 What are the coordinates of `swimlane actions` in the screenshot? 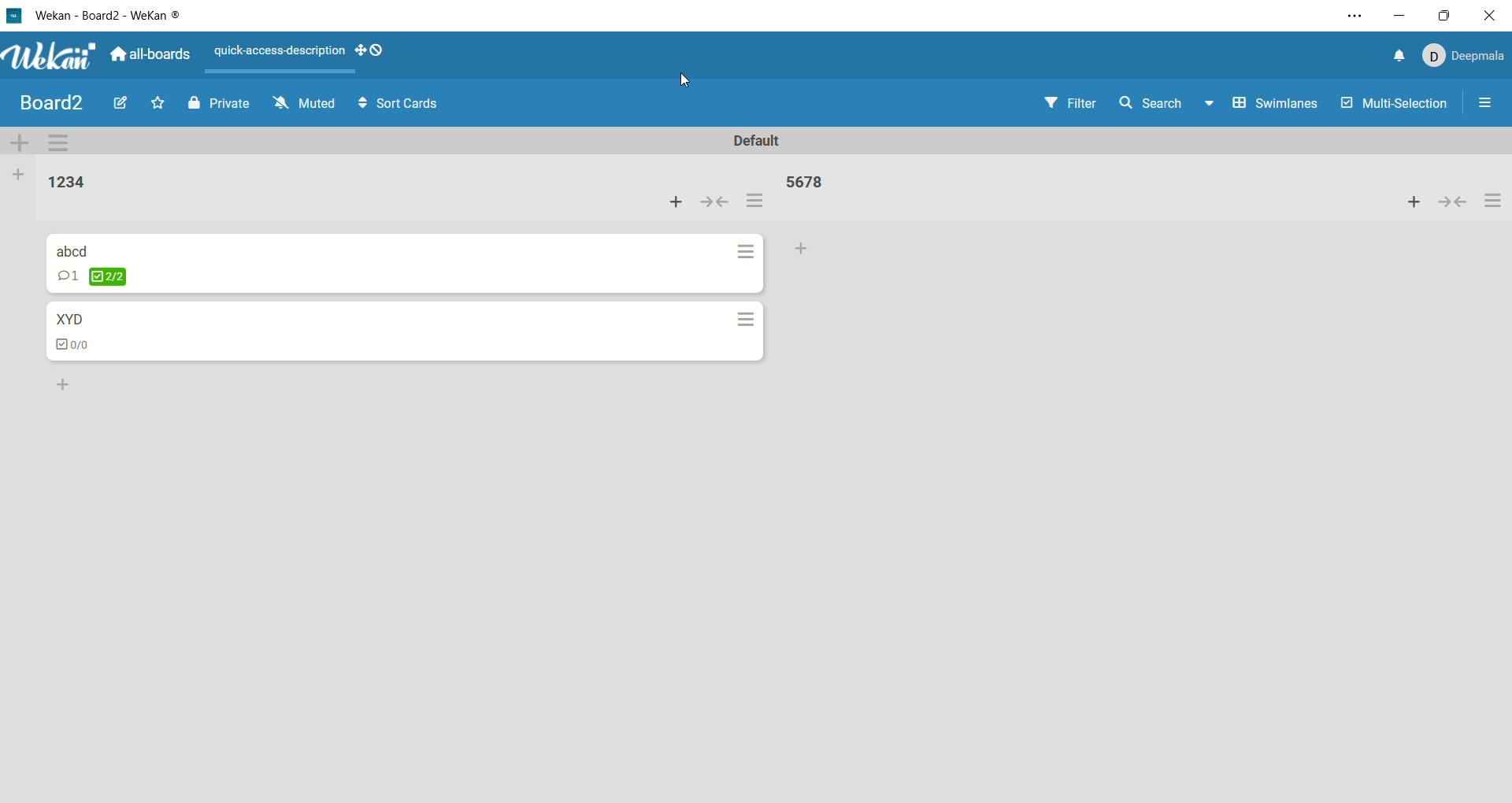 It's located at (63, 142).